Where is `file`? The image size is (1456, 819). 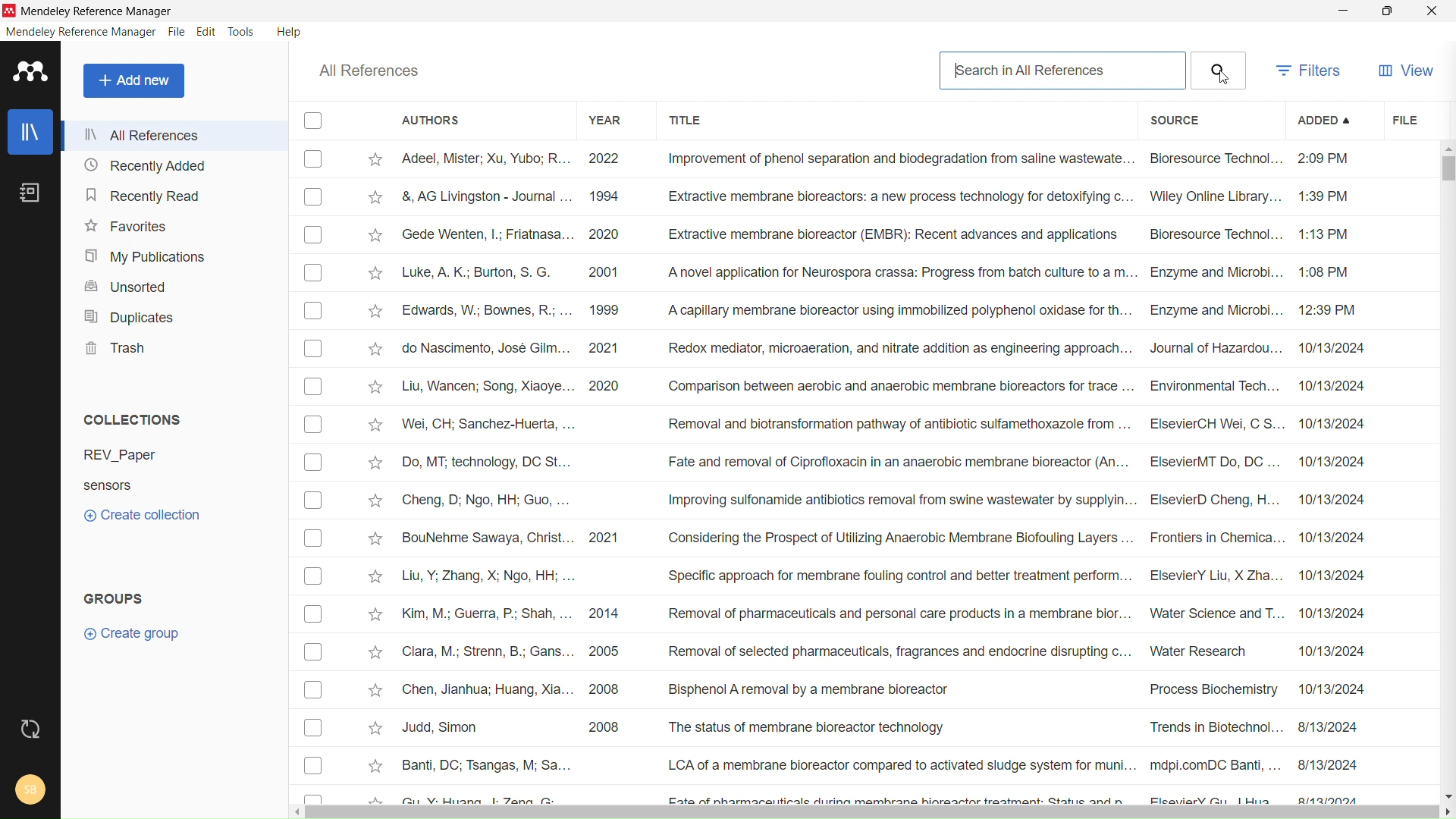
file is located at coordinates (1420, 120).